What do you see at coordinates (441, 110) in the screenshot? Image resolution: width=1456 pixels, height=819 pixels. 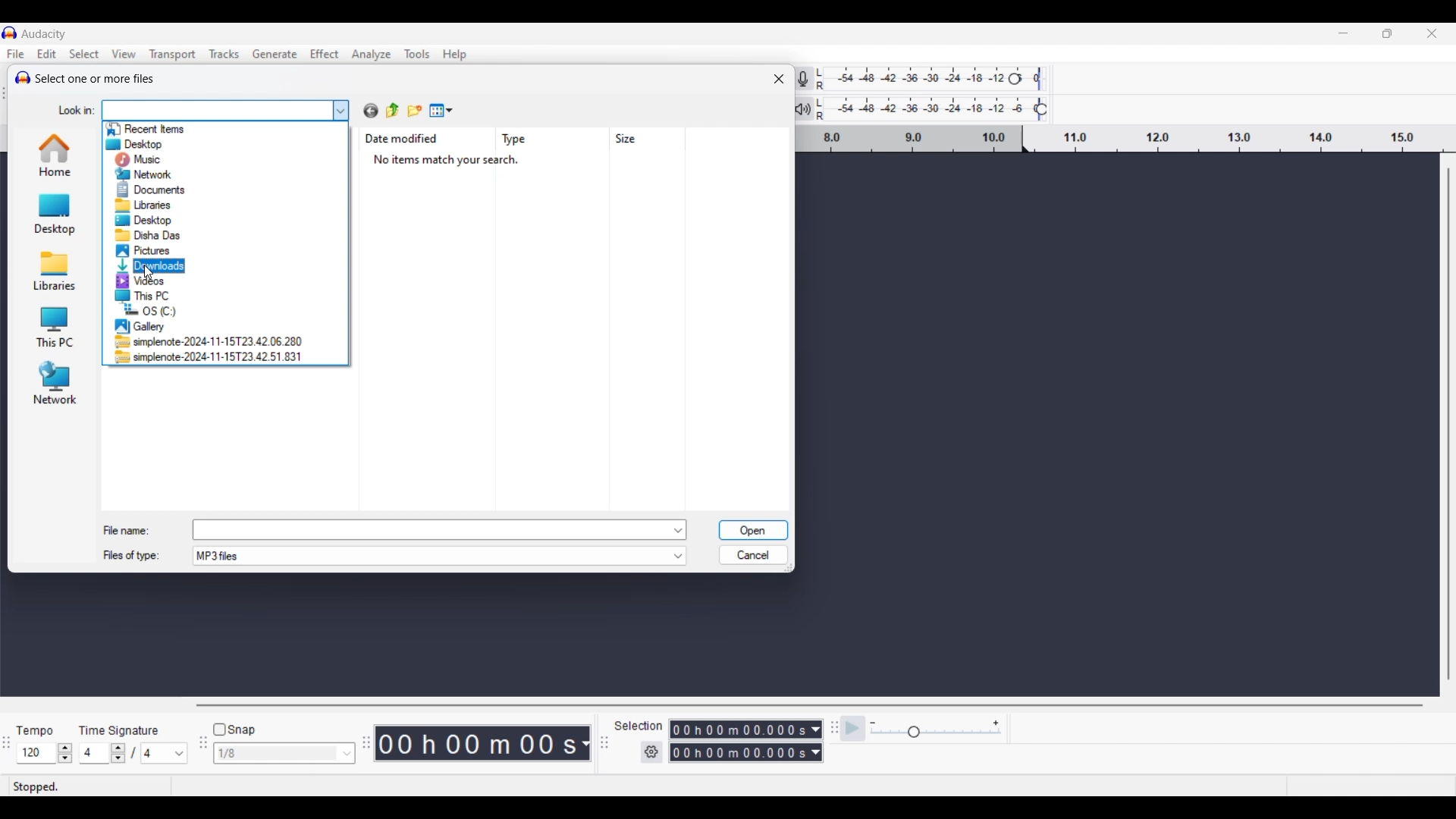 I see `View menu` at bounding box center [441, 110].